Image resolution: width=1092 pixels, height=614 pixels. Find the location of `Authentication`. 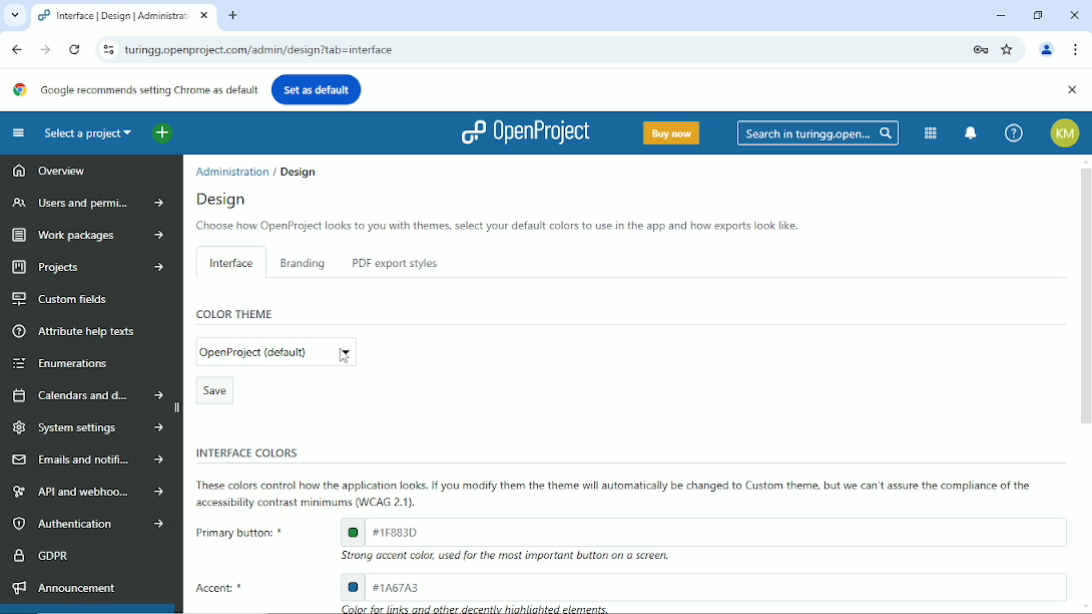

Authentication is located at coordinates (86, 524).